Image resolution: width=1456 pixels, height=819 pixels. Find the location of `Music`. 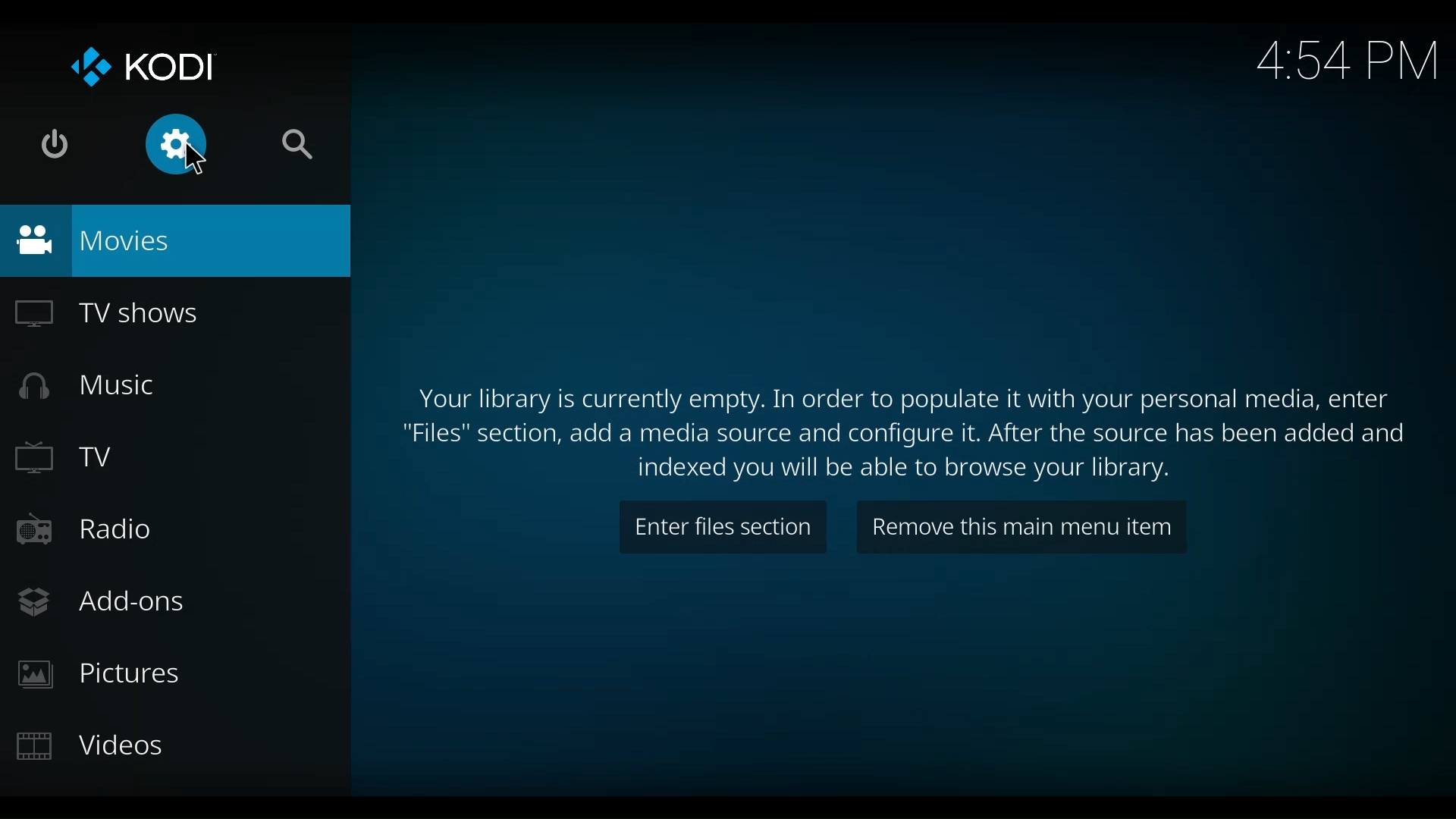

Music is located at coordinates (88, 388).